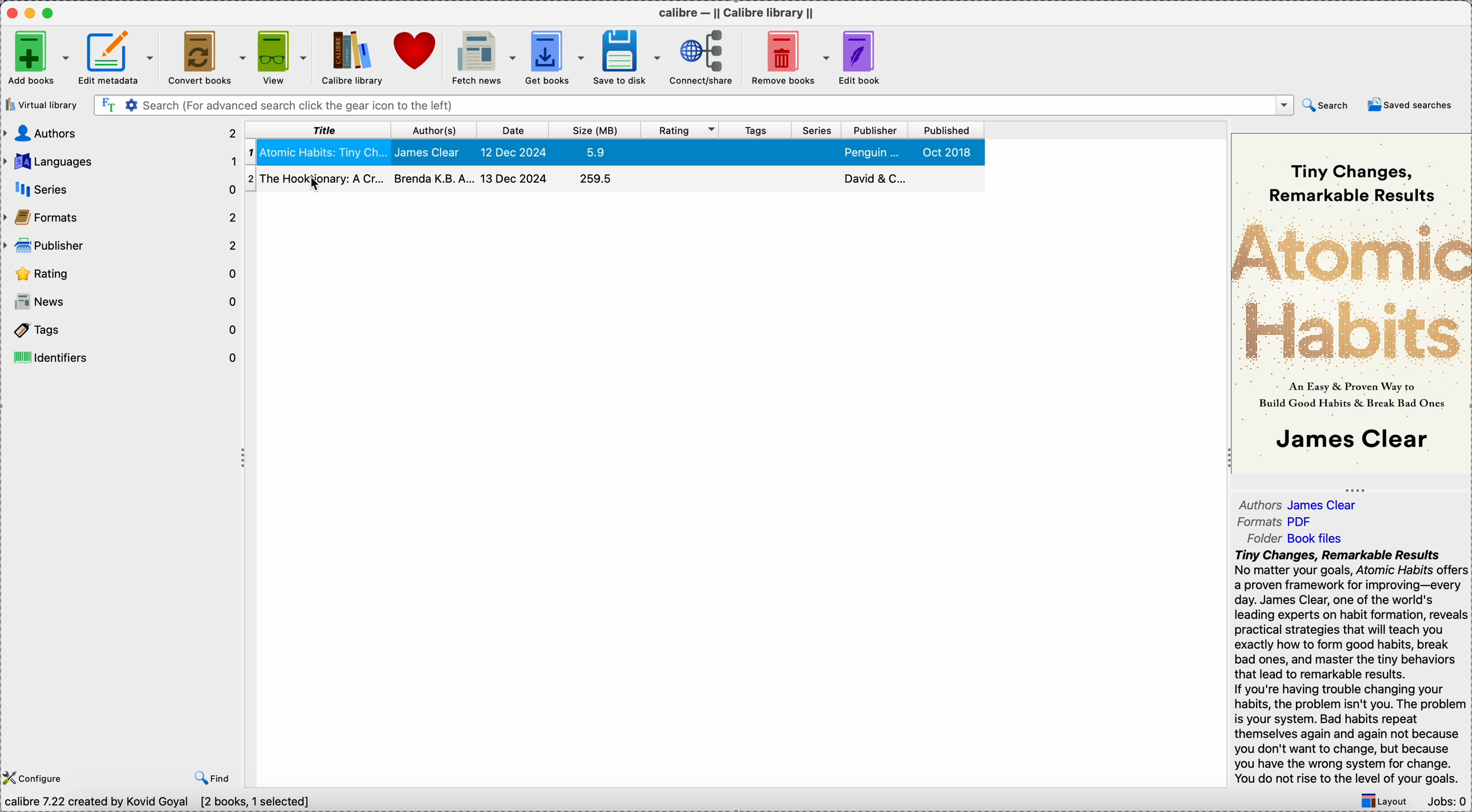 Image resolution: width=1472 pixels, height=812 pixels. Describe the element at coordinates (739, 15) in the screenshot. I see `calibre` at that location.